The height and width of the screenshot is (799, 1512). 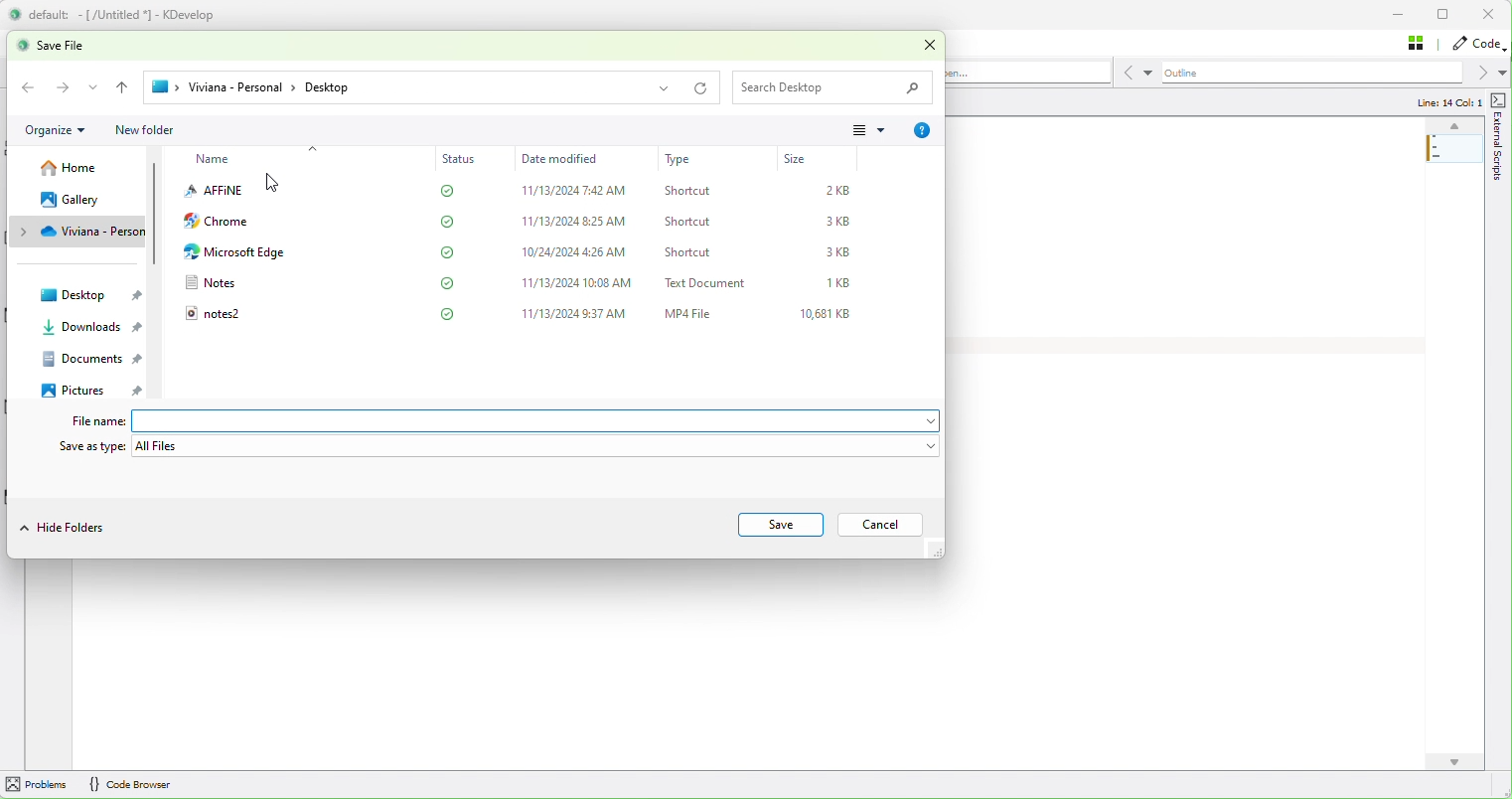 I want to click on up, so click(x=1453, y=126).